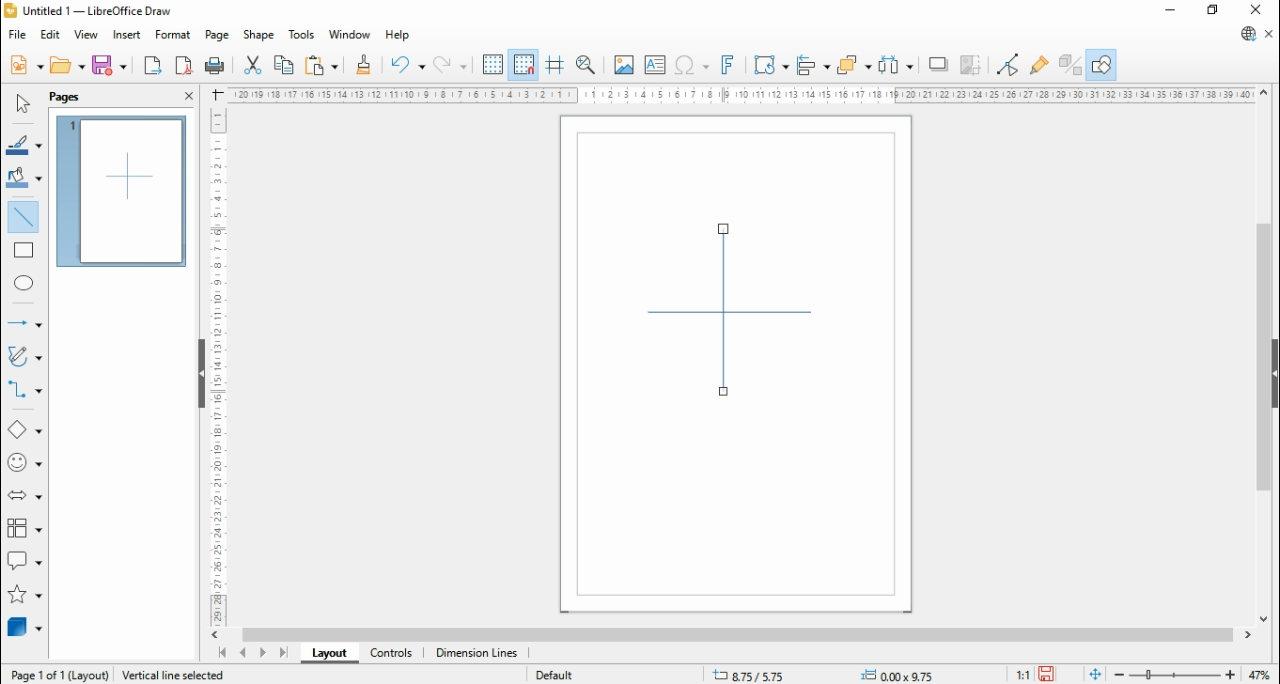  Describe the element at coordinates (220, 653) in the screenshot. I see `first page` at that location.